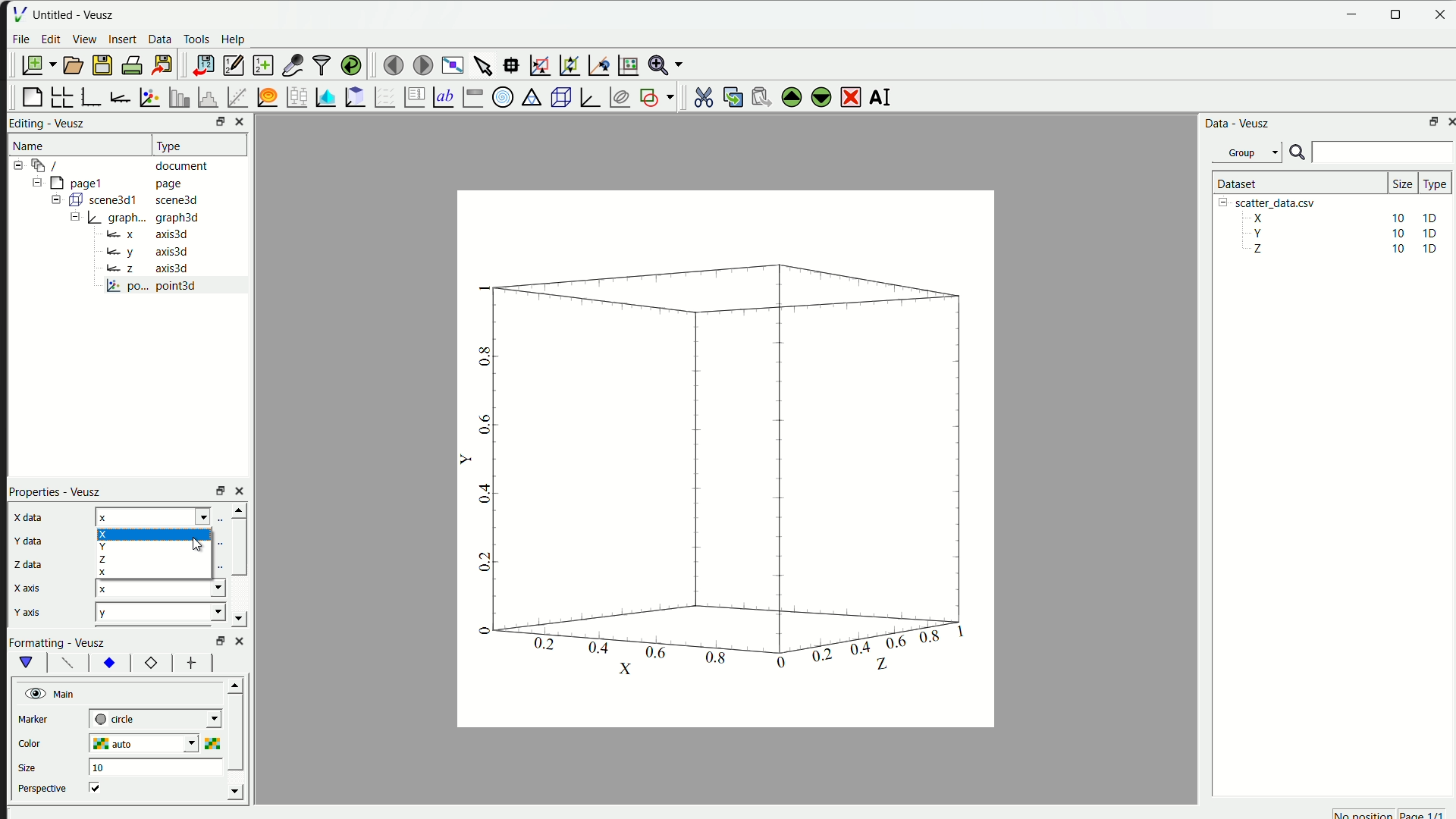  What do you see at coordinates (617, 96) in the screenshot?
I see `plot covariance ellipses` at bounding box center [617, 96].